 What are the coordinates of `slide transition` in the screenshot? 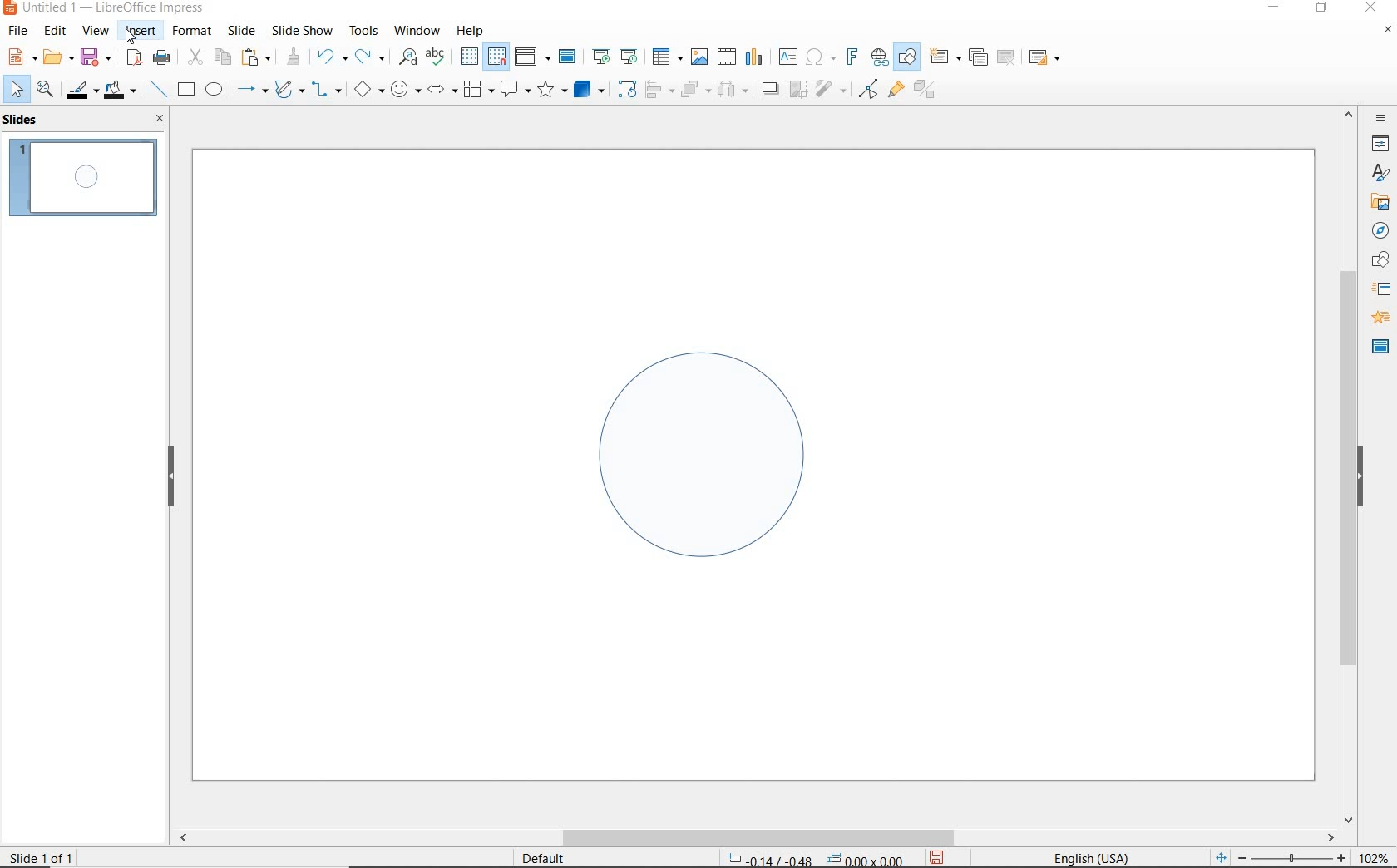 It's located at (1380, 289).